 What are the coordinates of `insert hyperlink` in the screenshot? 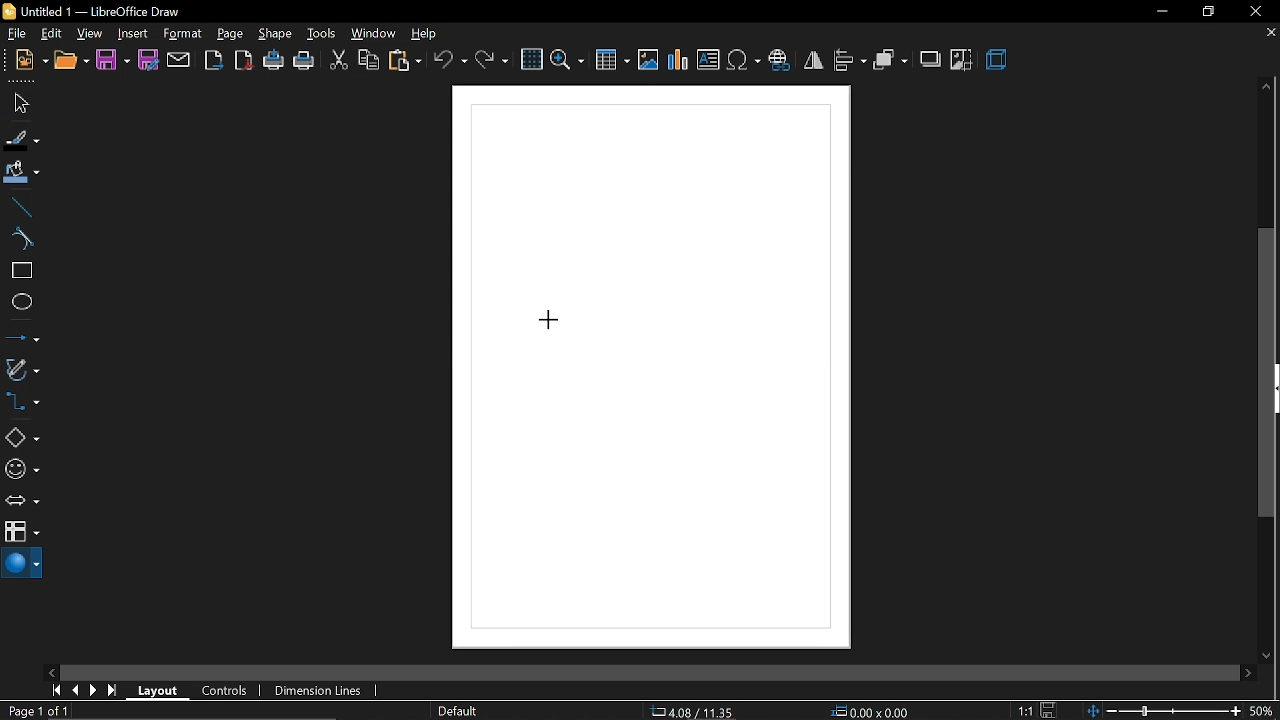 It's located at (782, 60).